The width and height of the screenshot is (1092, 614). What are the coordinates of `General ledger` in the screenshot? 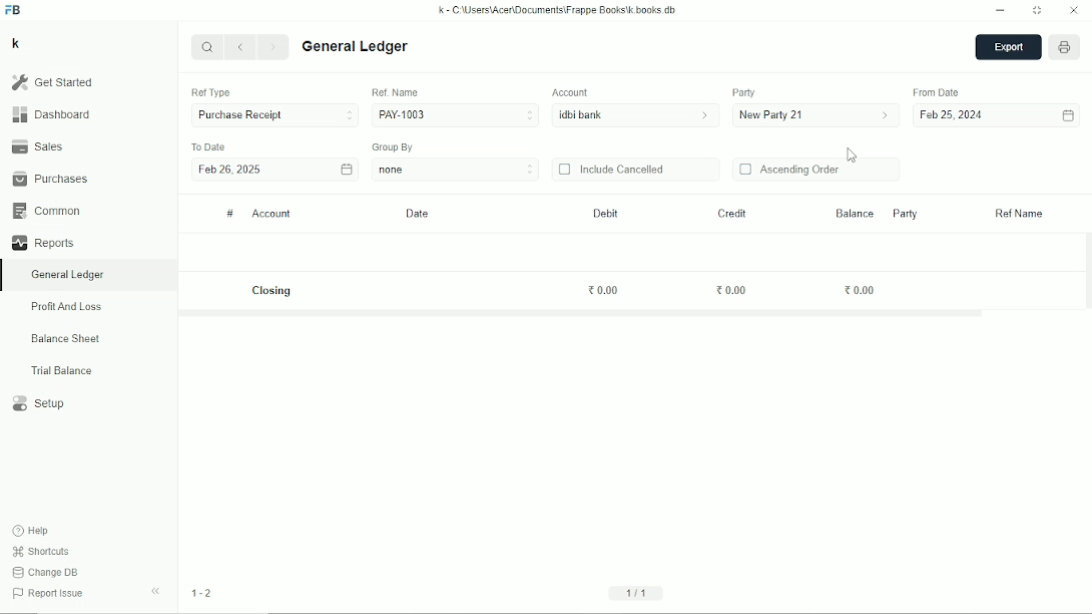 It's located at (68, 275).